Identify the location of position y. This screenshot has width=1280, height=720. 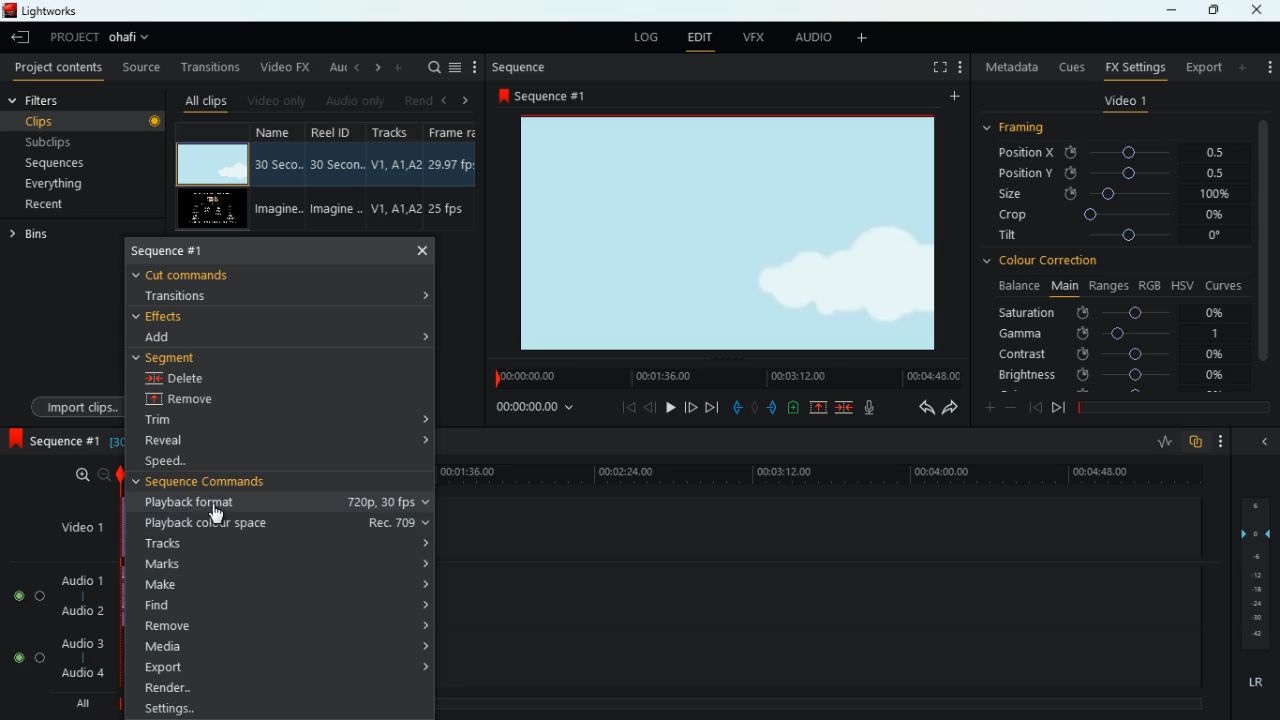
(1117, 172).